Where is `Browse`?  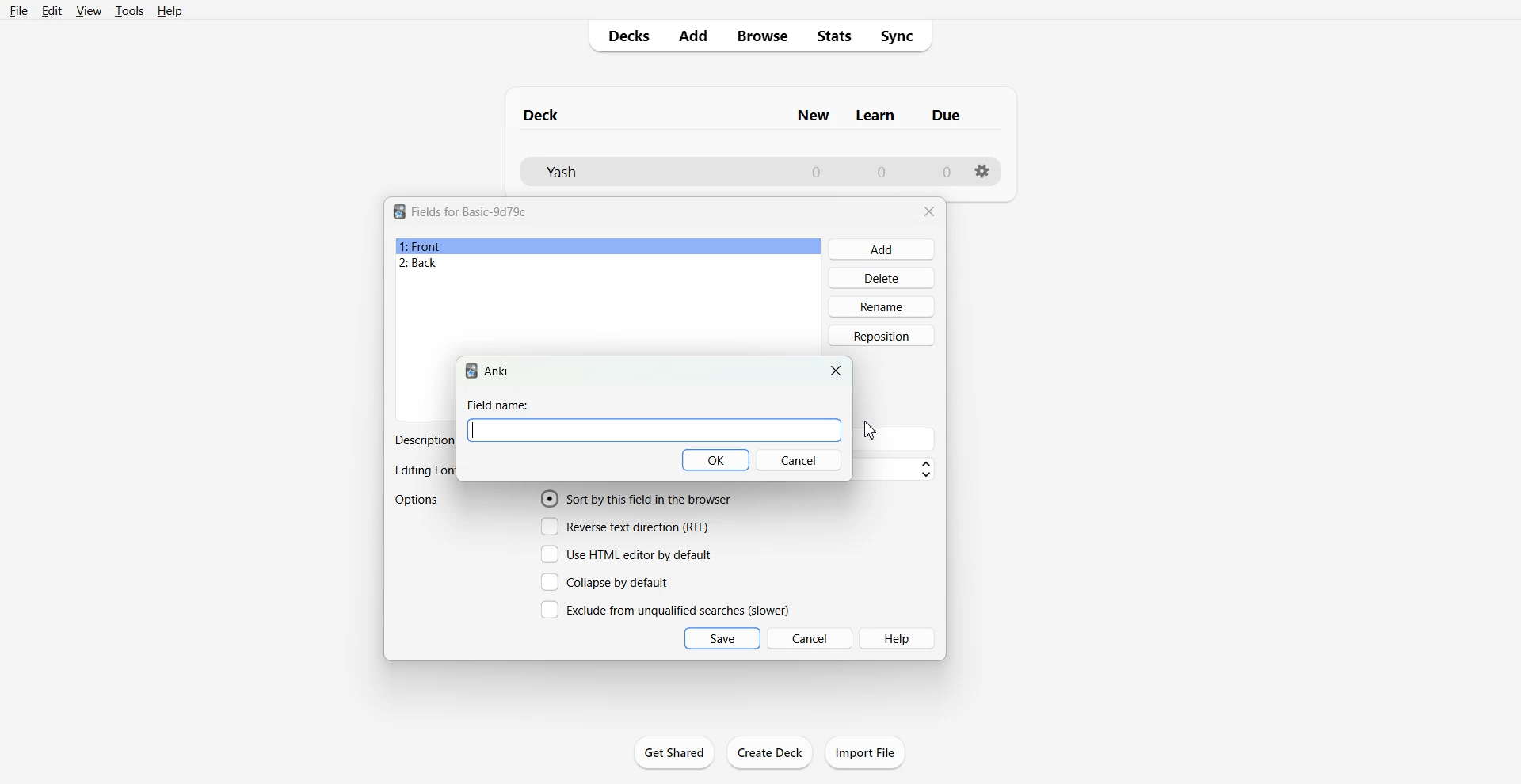
Browse is located at coordinates (761, 36).